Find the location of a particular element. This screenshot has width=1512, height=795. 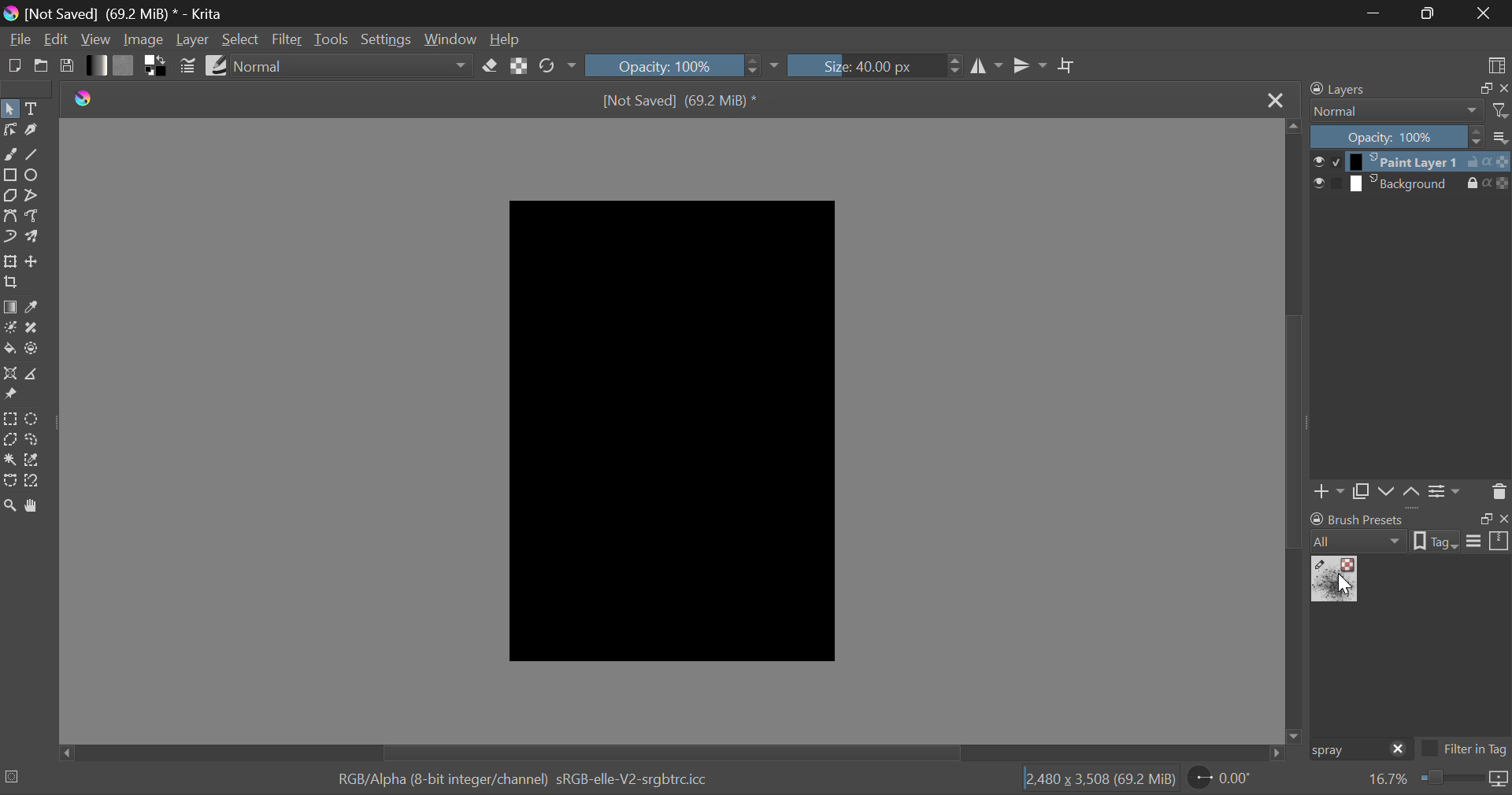

Freehand Path Tool is located at coordinates (33, 216).